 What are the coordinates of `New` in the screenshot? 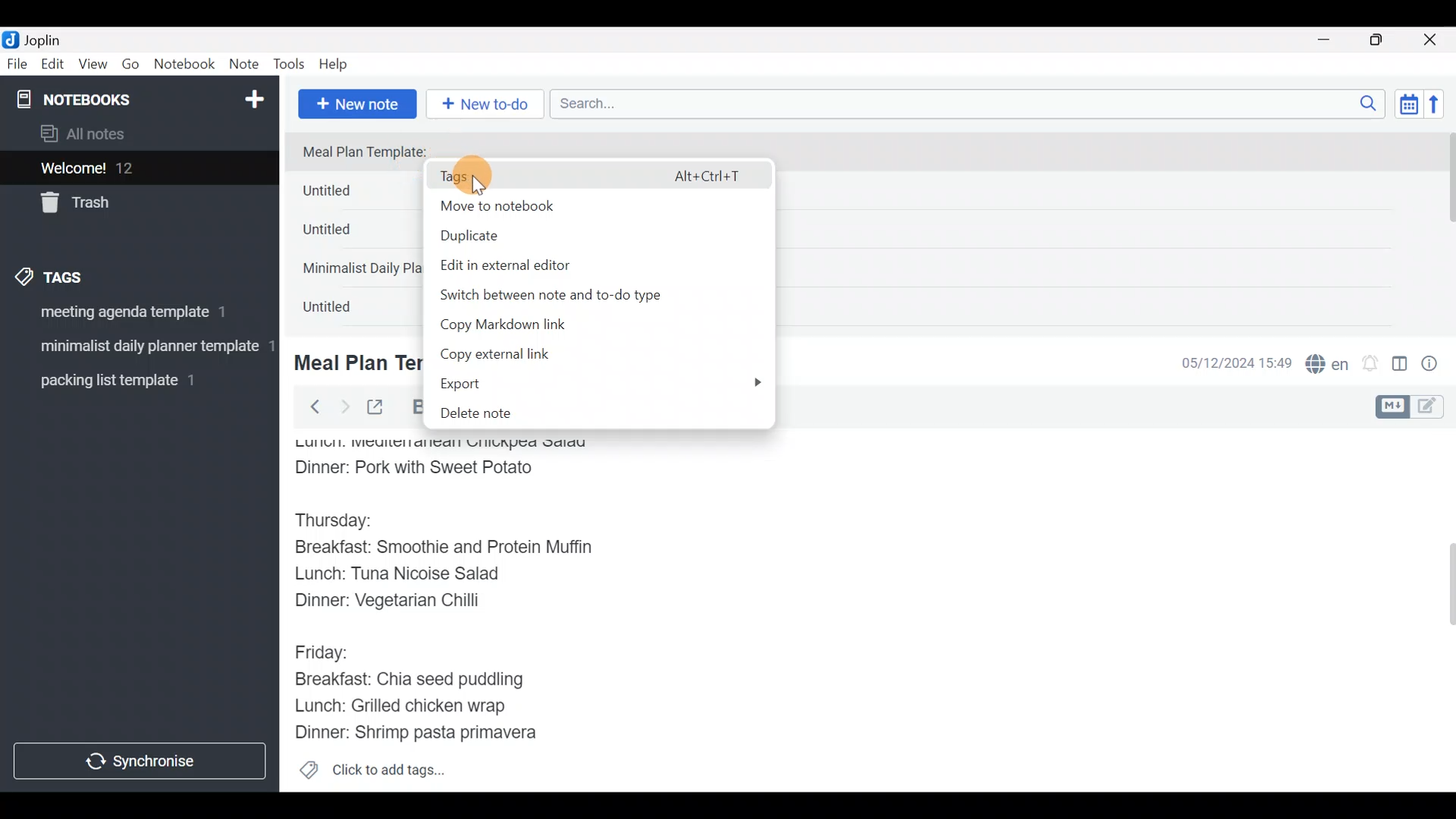 It's located at (253, 96).